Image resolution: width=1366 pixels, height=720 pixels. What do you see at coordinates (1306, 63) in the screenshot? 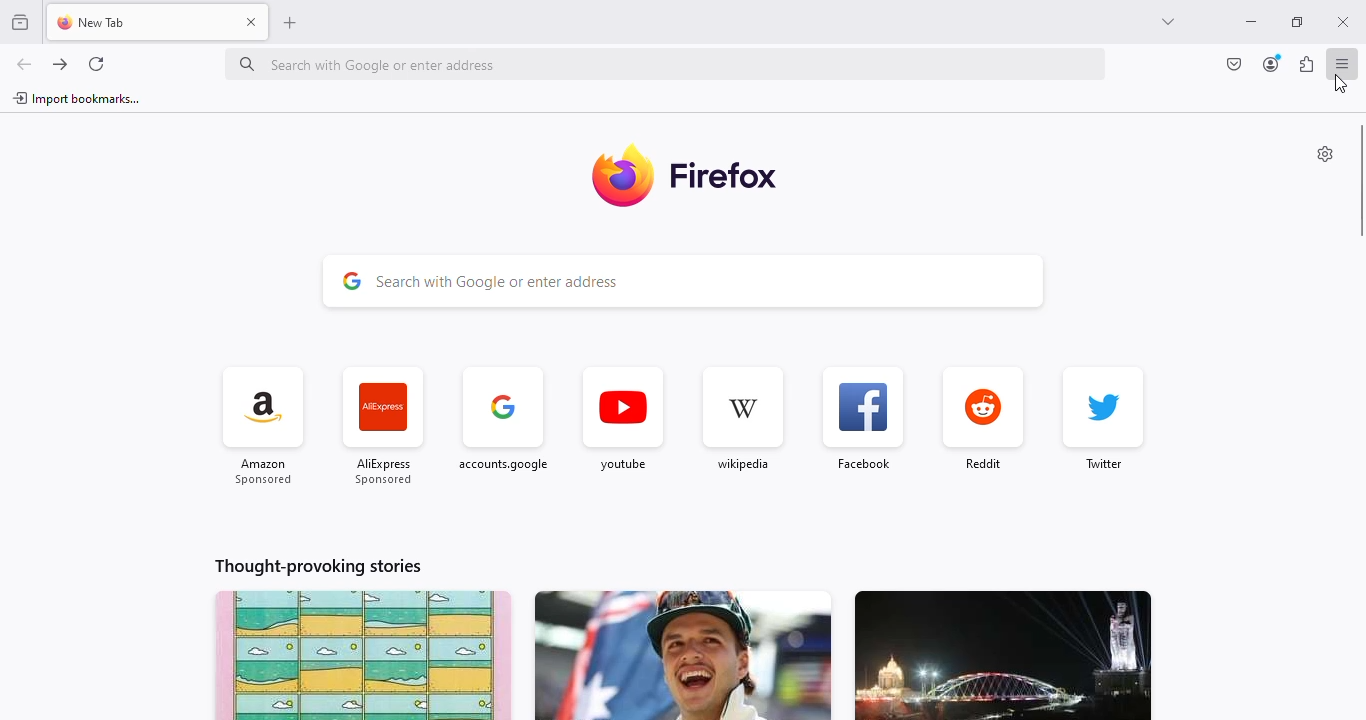
I see `extensions` at bounding box center [1306, 63].